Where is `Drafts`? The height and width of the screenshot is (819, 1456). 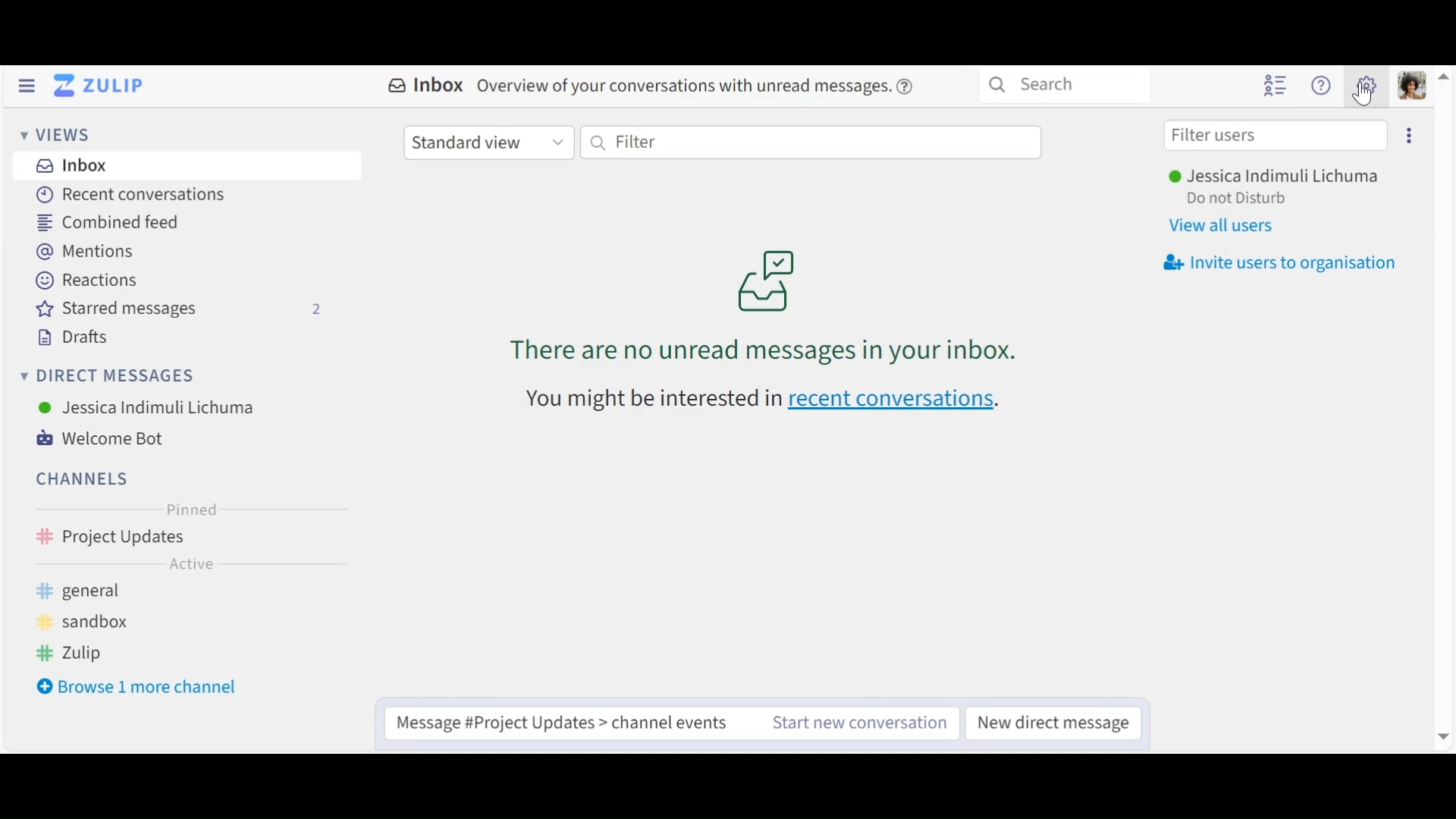 Drafts is located at coordinates (67, 337).